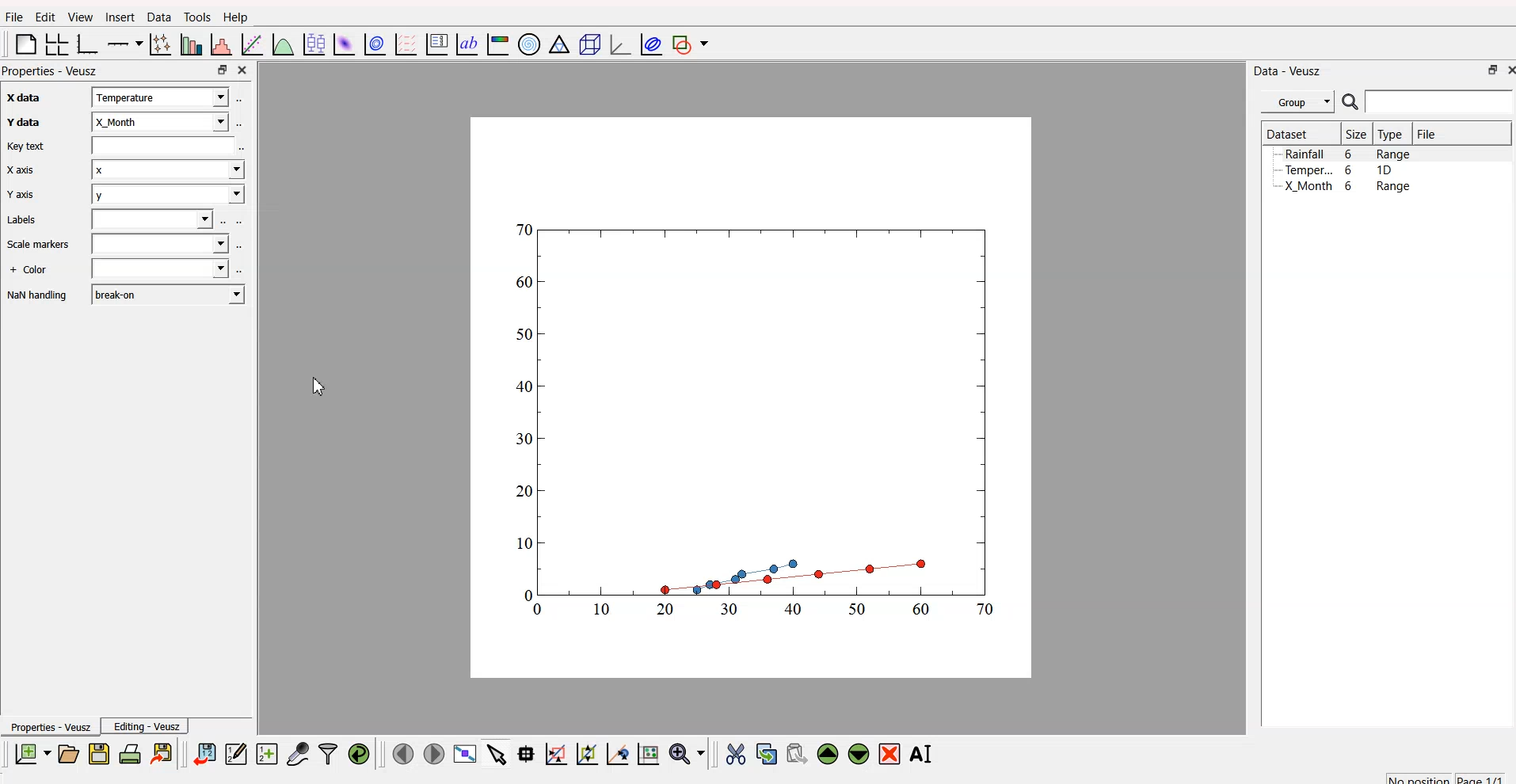 This screenshot has height=784, width=1516. I want to click on move to the next page, so click(436, 754).